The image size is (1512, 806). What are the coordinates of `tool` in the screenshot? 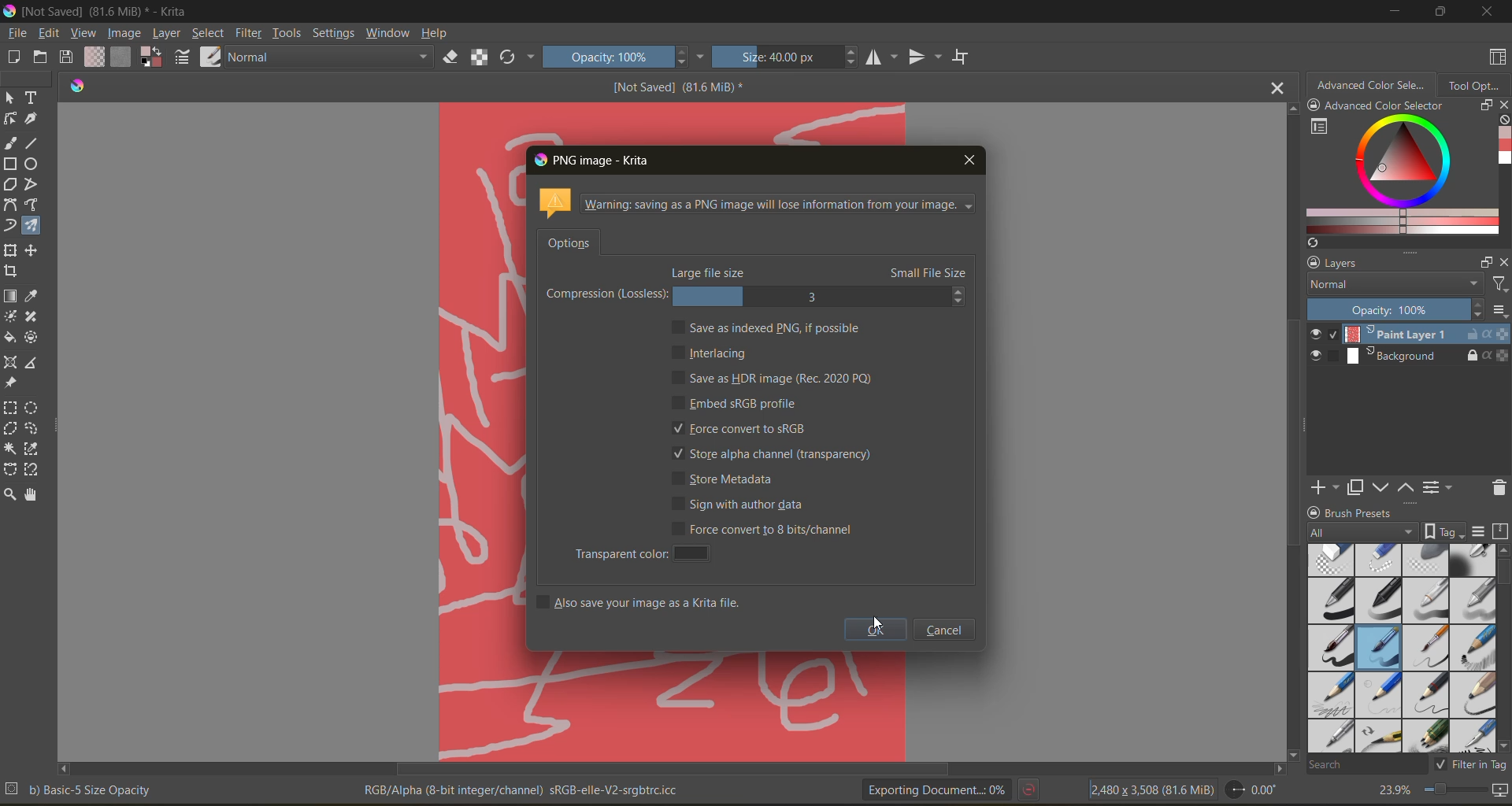 It's located at (31, 429).